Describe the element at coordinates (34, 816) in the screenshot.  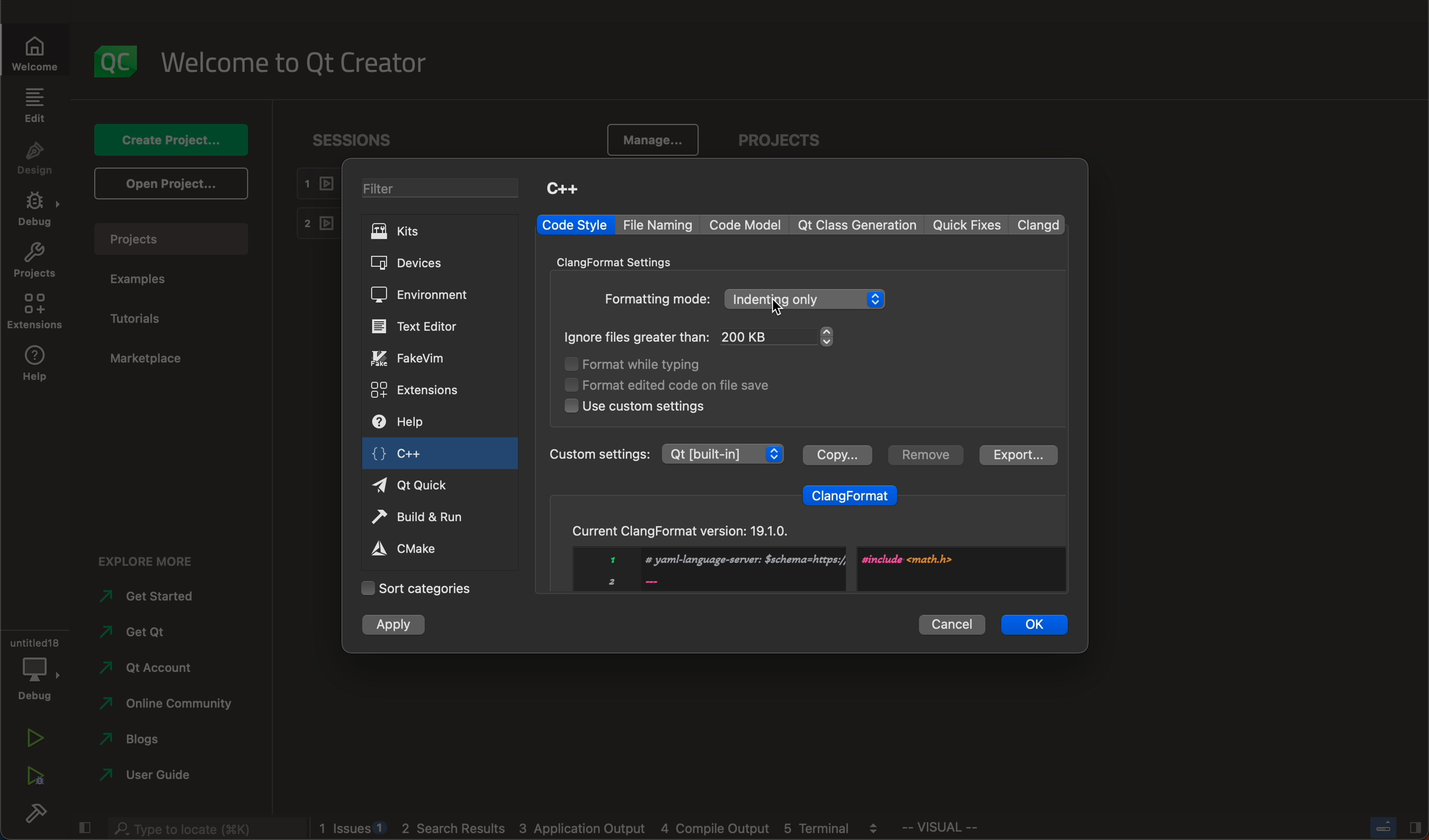
I see `build` at that location.